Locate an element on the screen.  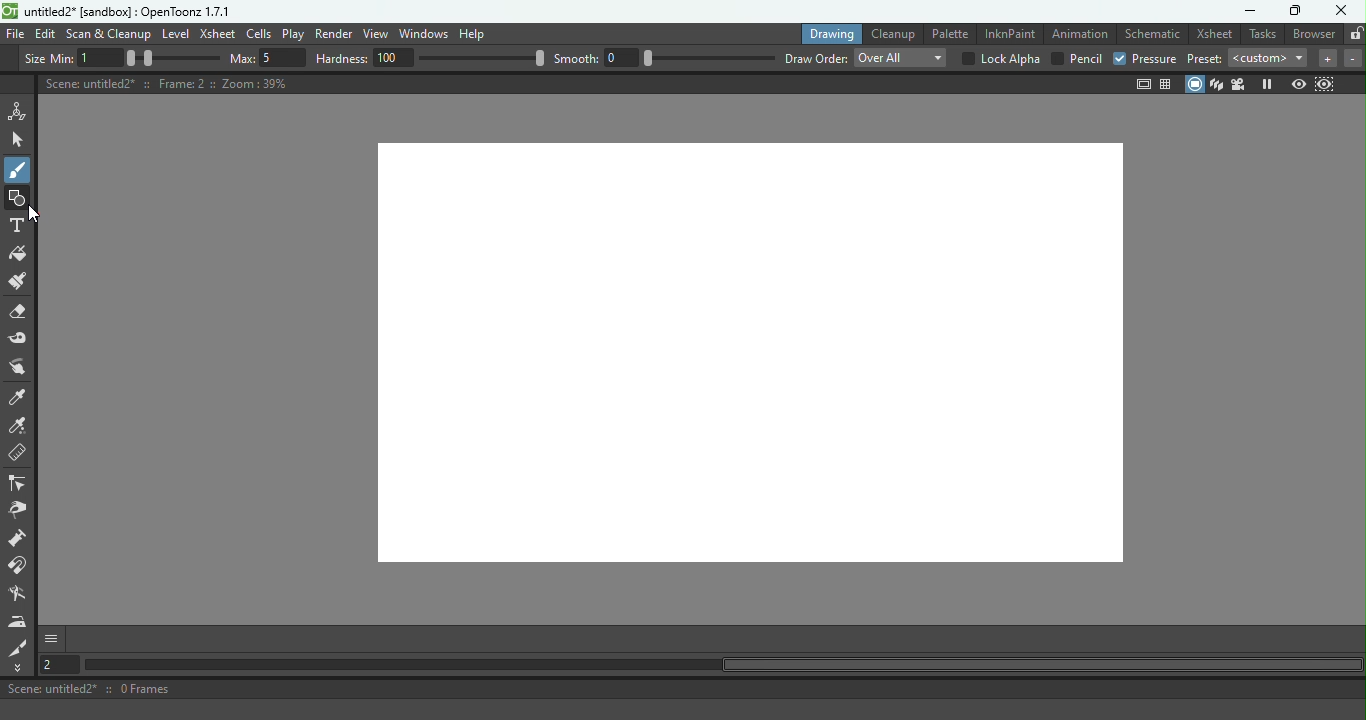
Pencil is located at coordinates (1074, 59).